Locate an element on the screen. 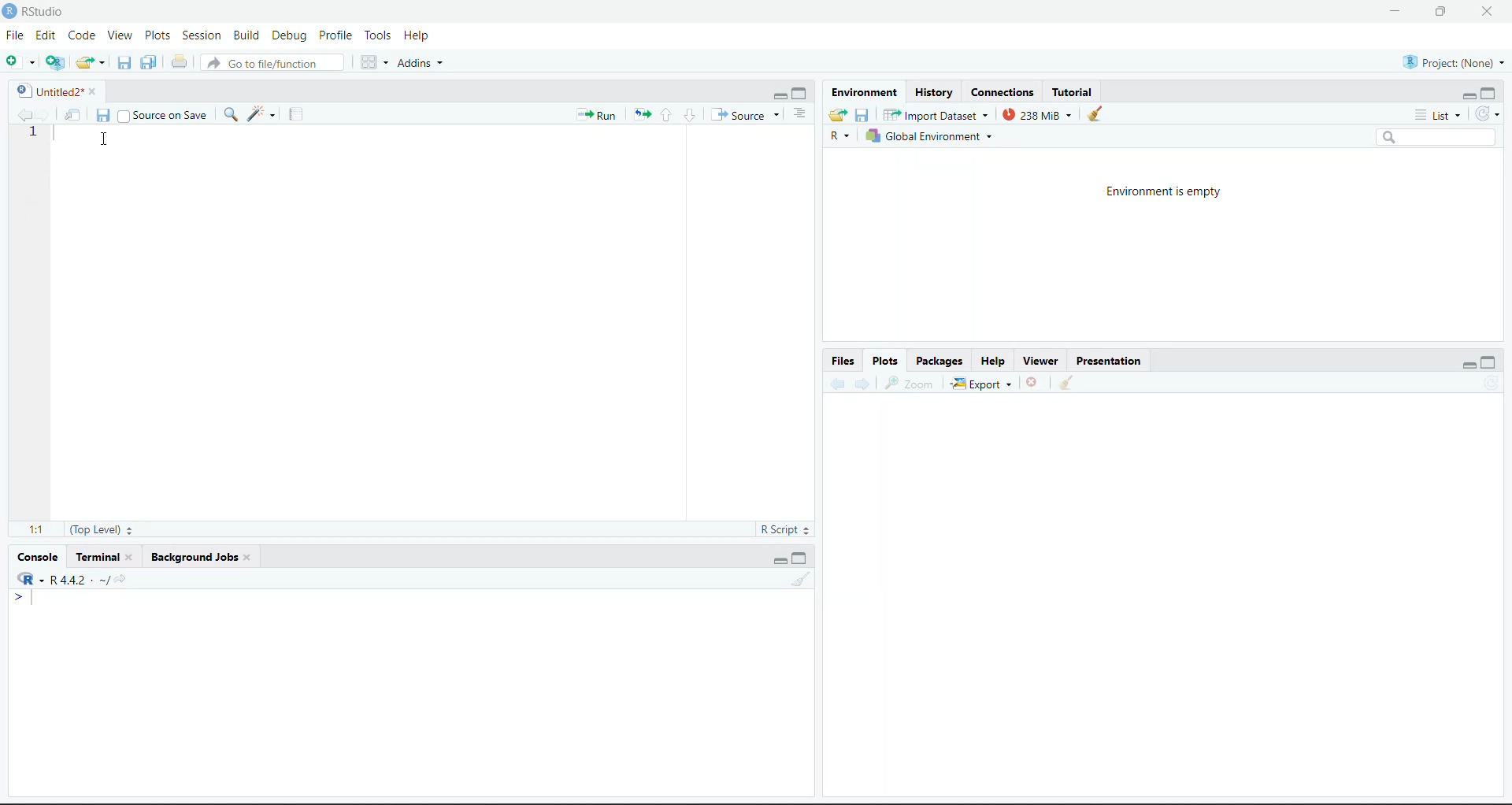 The height and width of the screenshot is (805, 1512). rerun is located at coordinates (642, 116).